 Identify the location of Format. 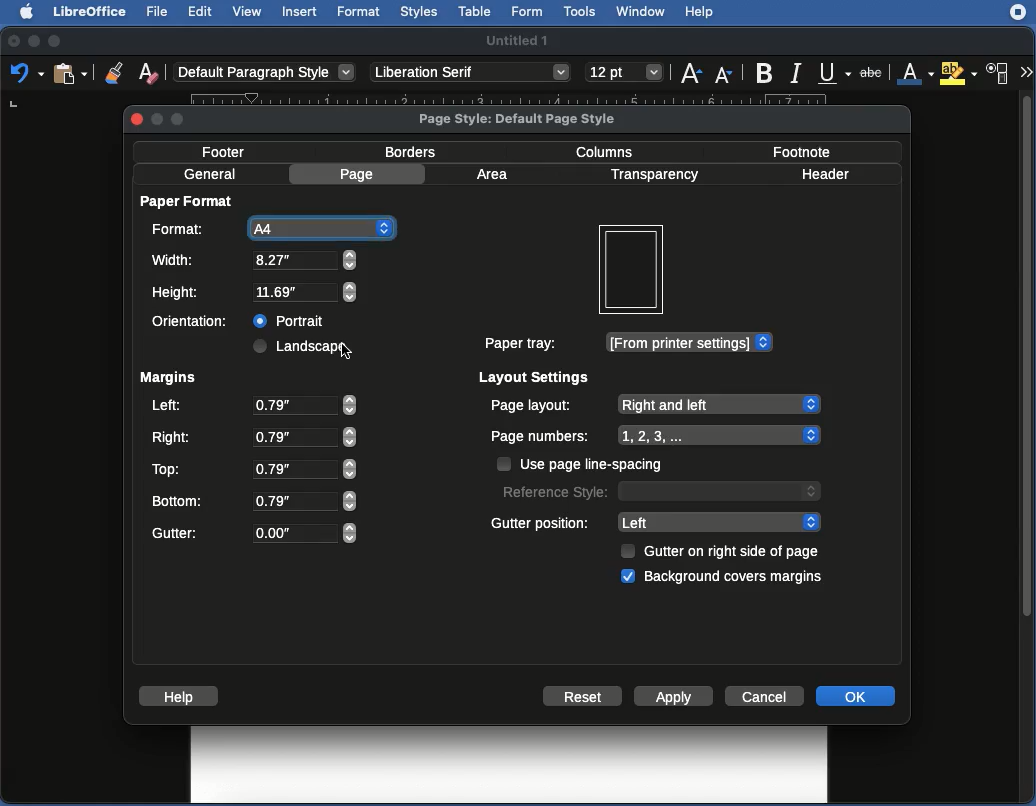
(181, 231).